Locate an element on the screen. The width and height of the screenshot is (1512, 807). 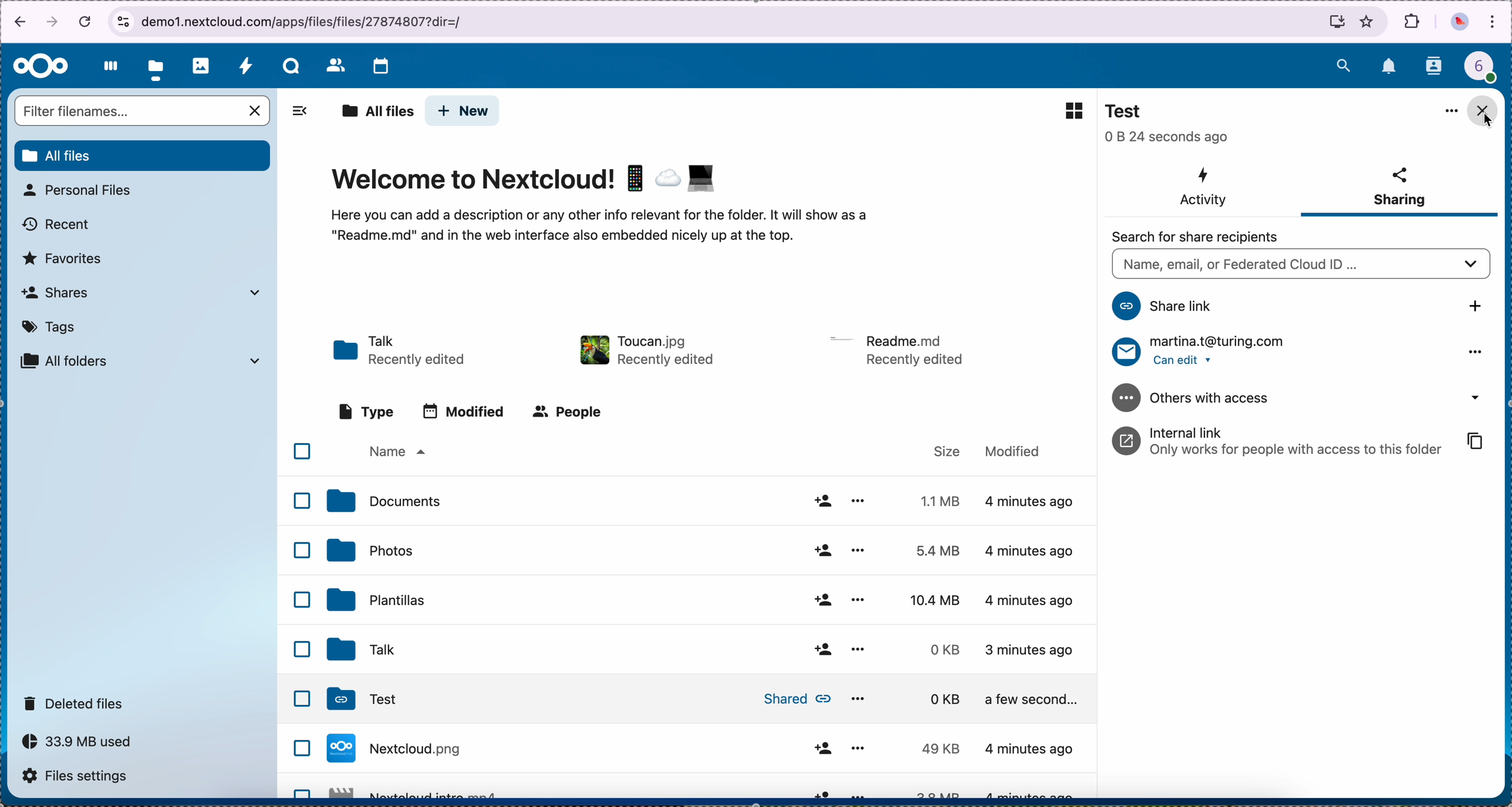
photos folder is located at coordinates (706, 551).